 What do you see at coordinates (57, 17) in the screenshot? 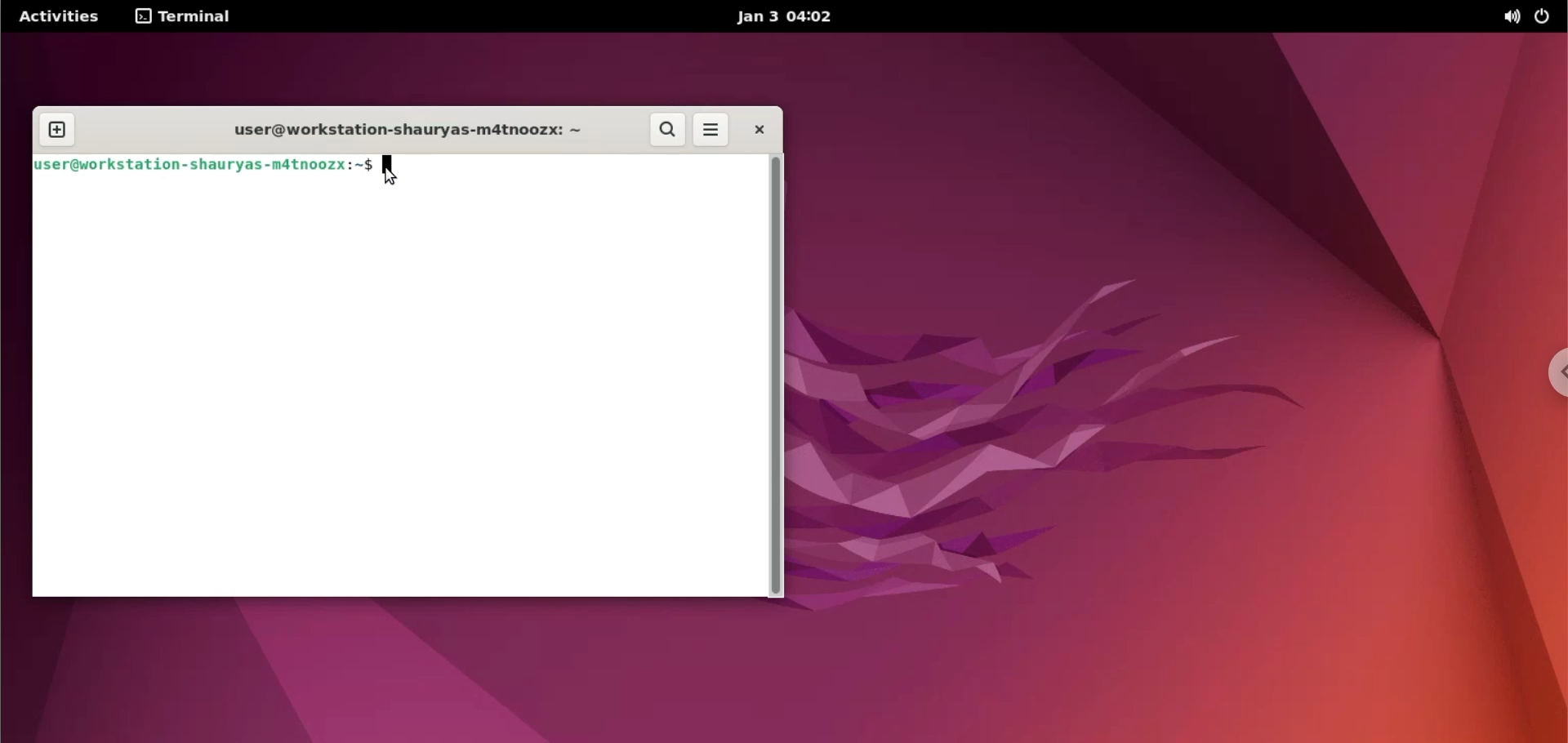
I see `Activities` at bounding box center [57, 17].